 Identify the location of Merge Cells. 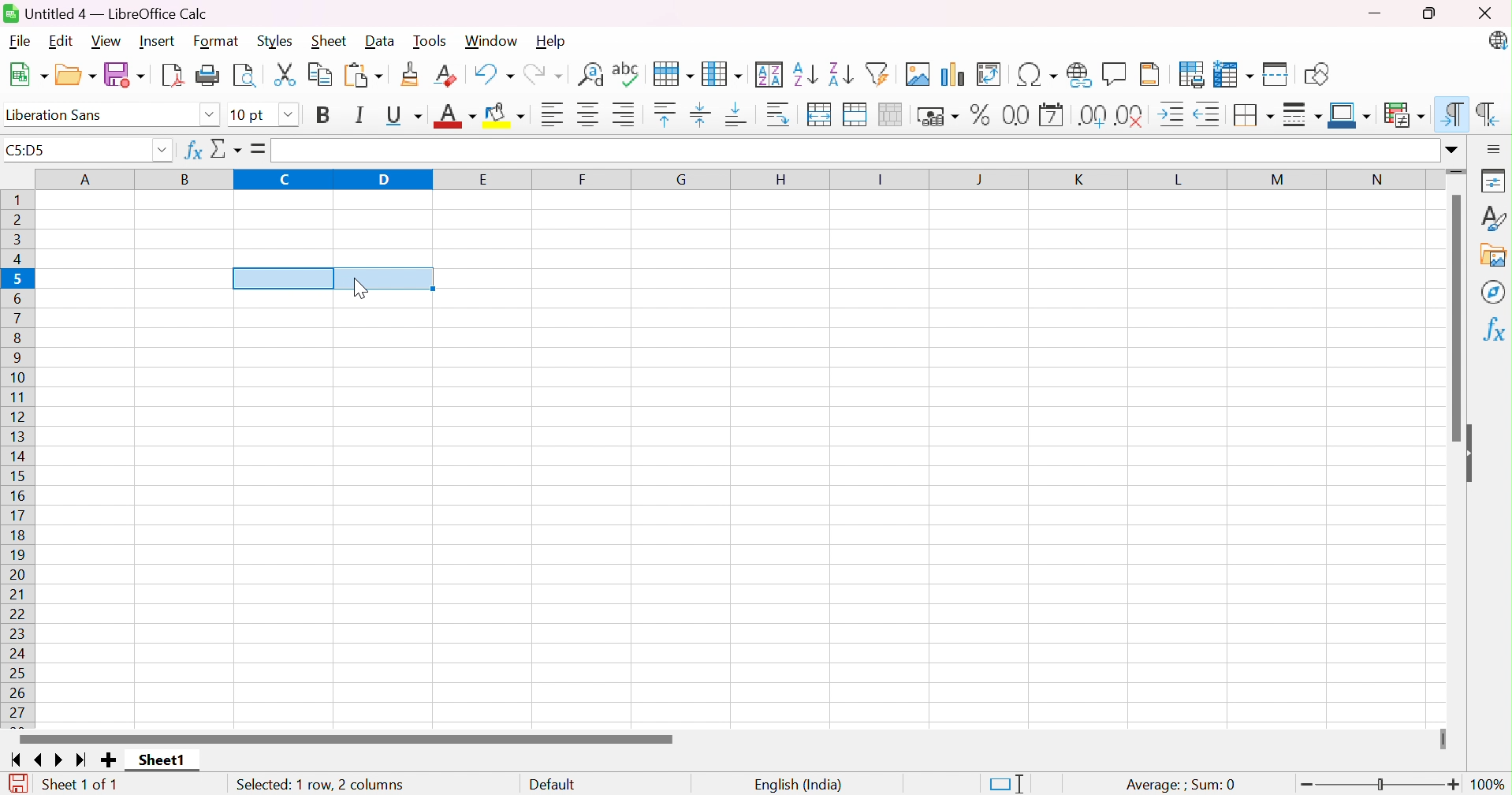
(858, 114).